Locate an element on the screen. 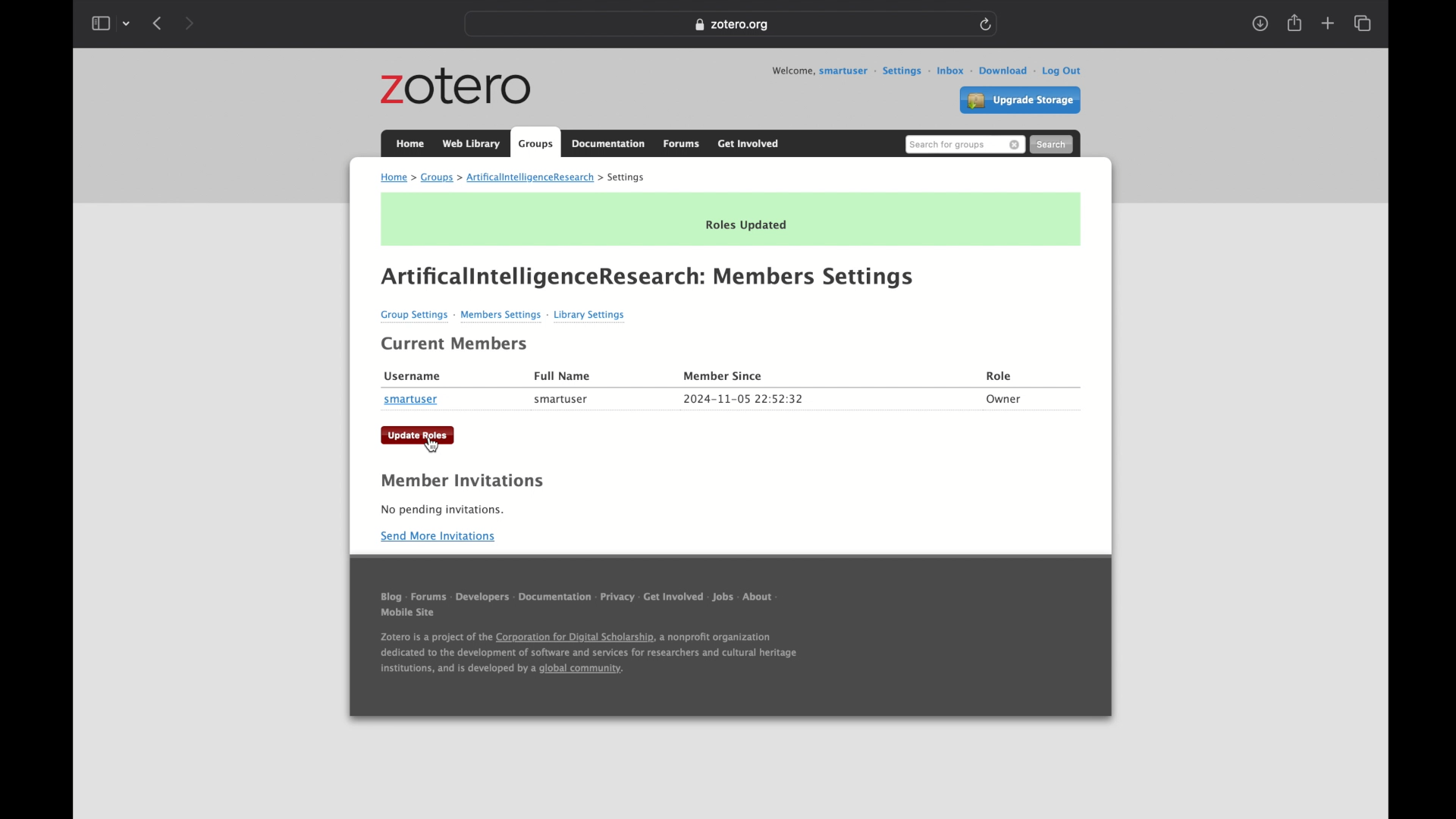 This screenshot has width=1456, height=819. member invitations is located at coordinates (462, 481).